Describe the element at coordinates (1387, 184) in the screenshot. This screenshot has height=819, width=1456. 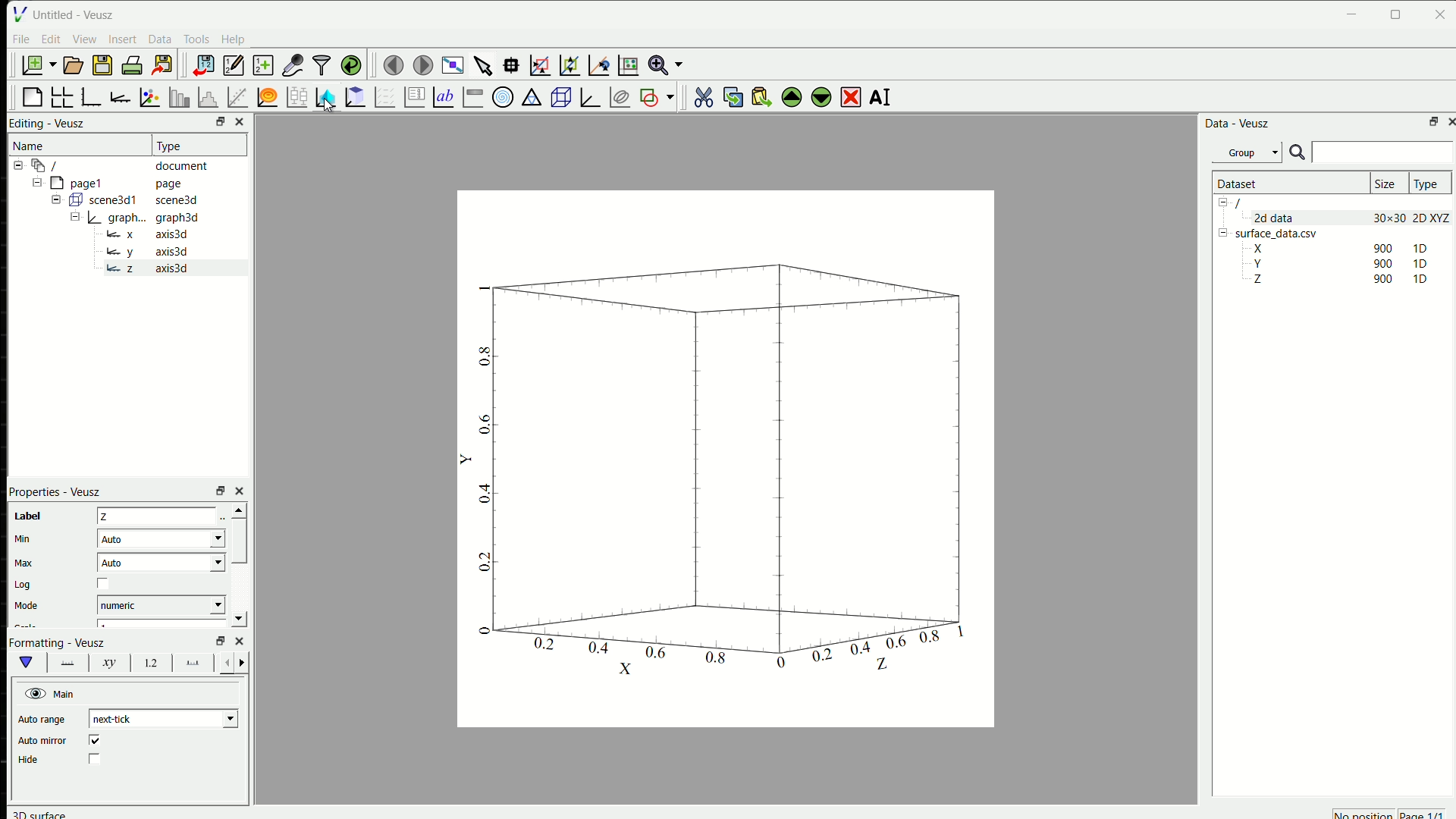
I see `Size` at that location.